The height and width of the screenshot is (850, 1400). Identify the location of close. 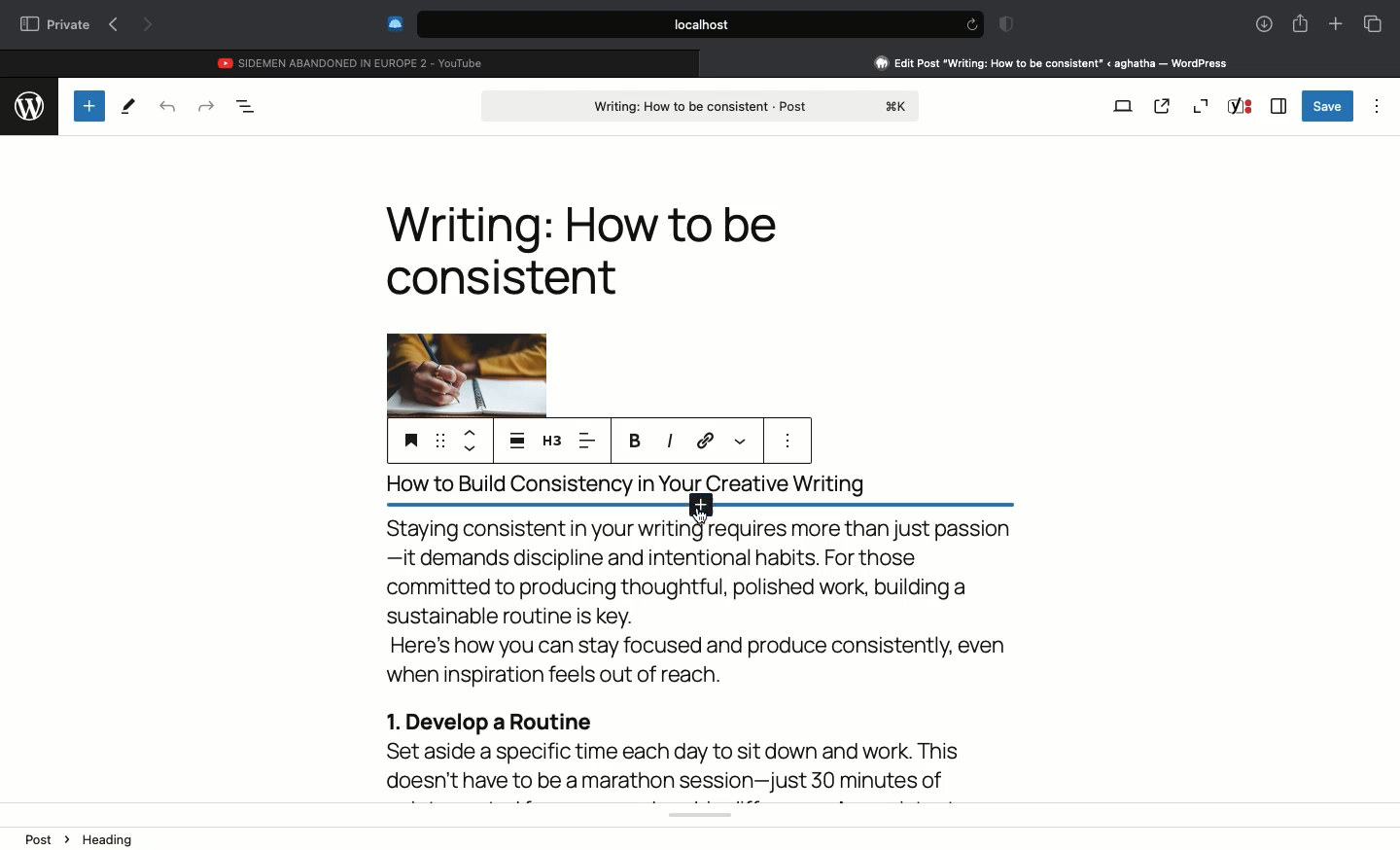
(709, 62).